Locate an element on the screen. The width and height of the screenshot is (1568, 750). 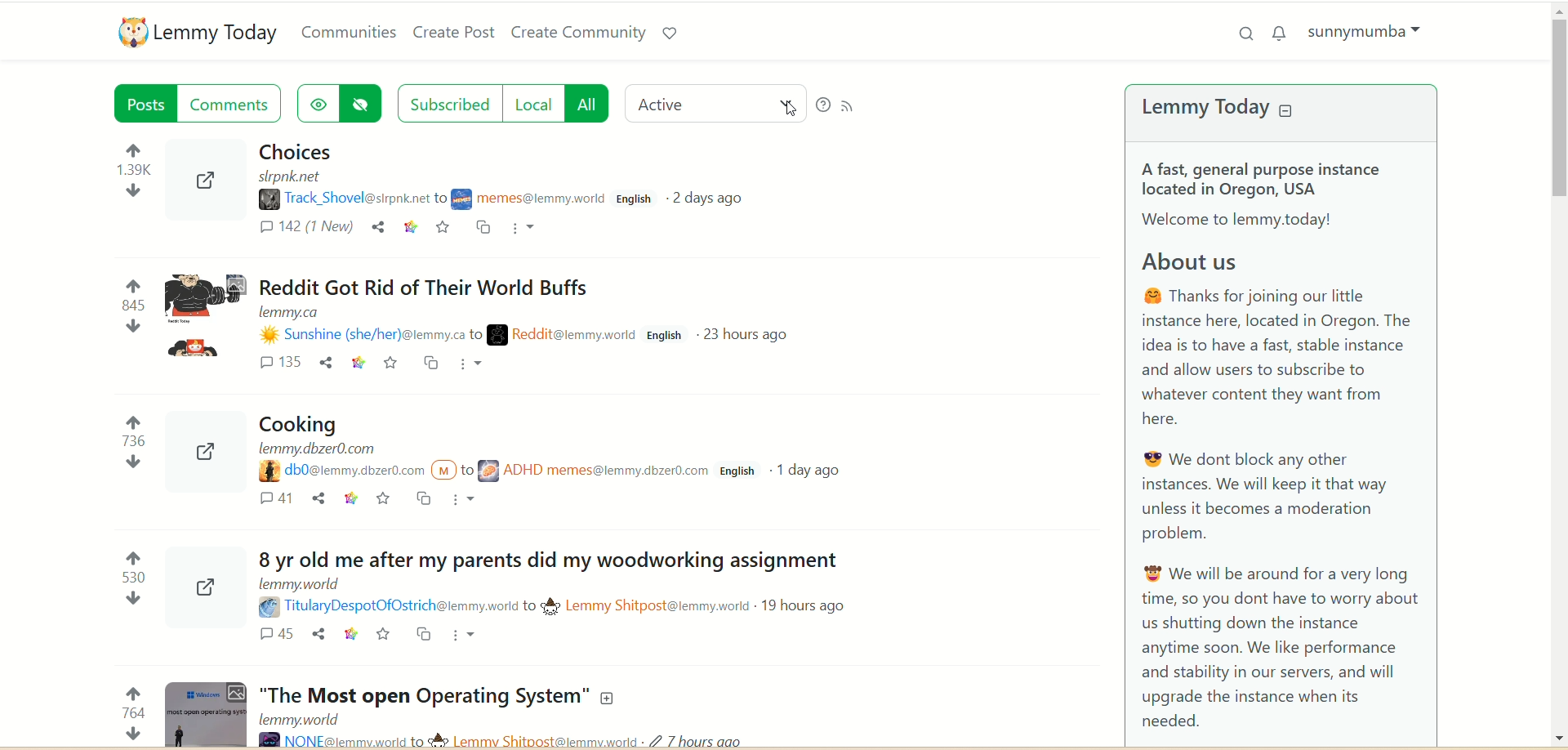
hide posts is located at coordinates (367, 104).